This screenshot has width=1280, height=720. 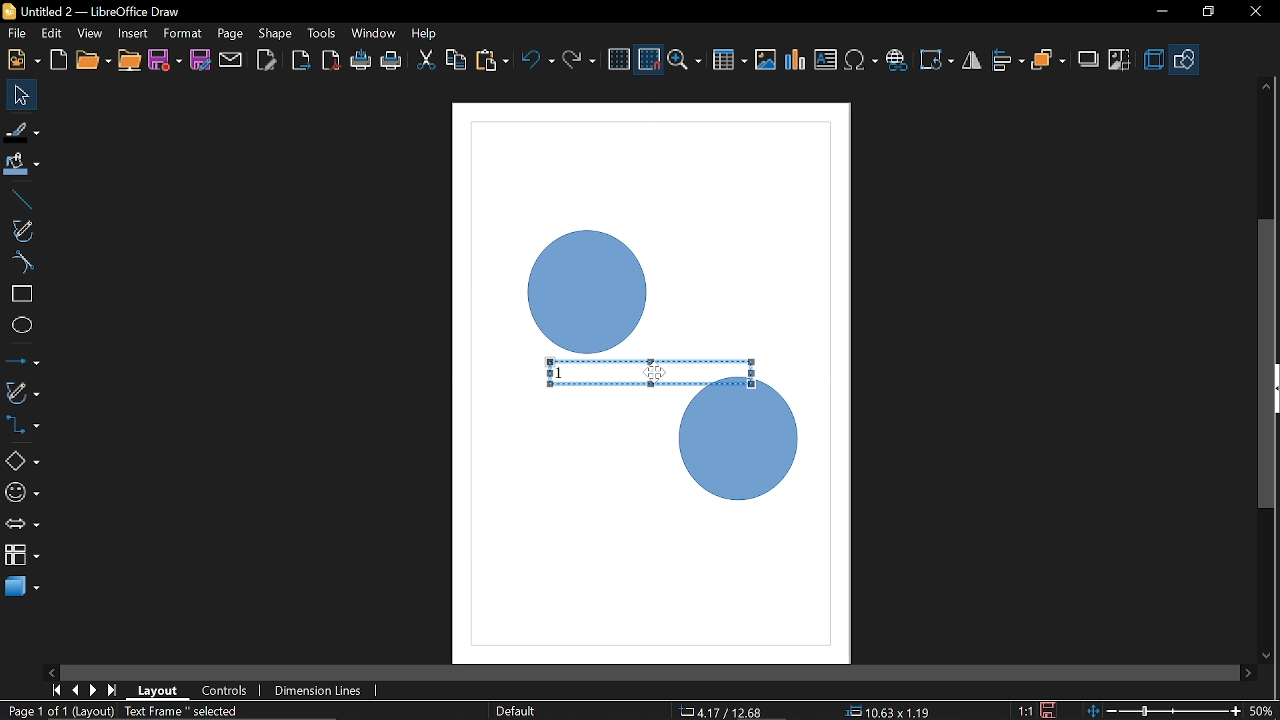 I want to click on Help, so click(x=426, y=33).